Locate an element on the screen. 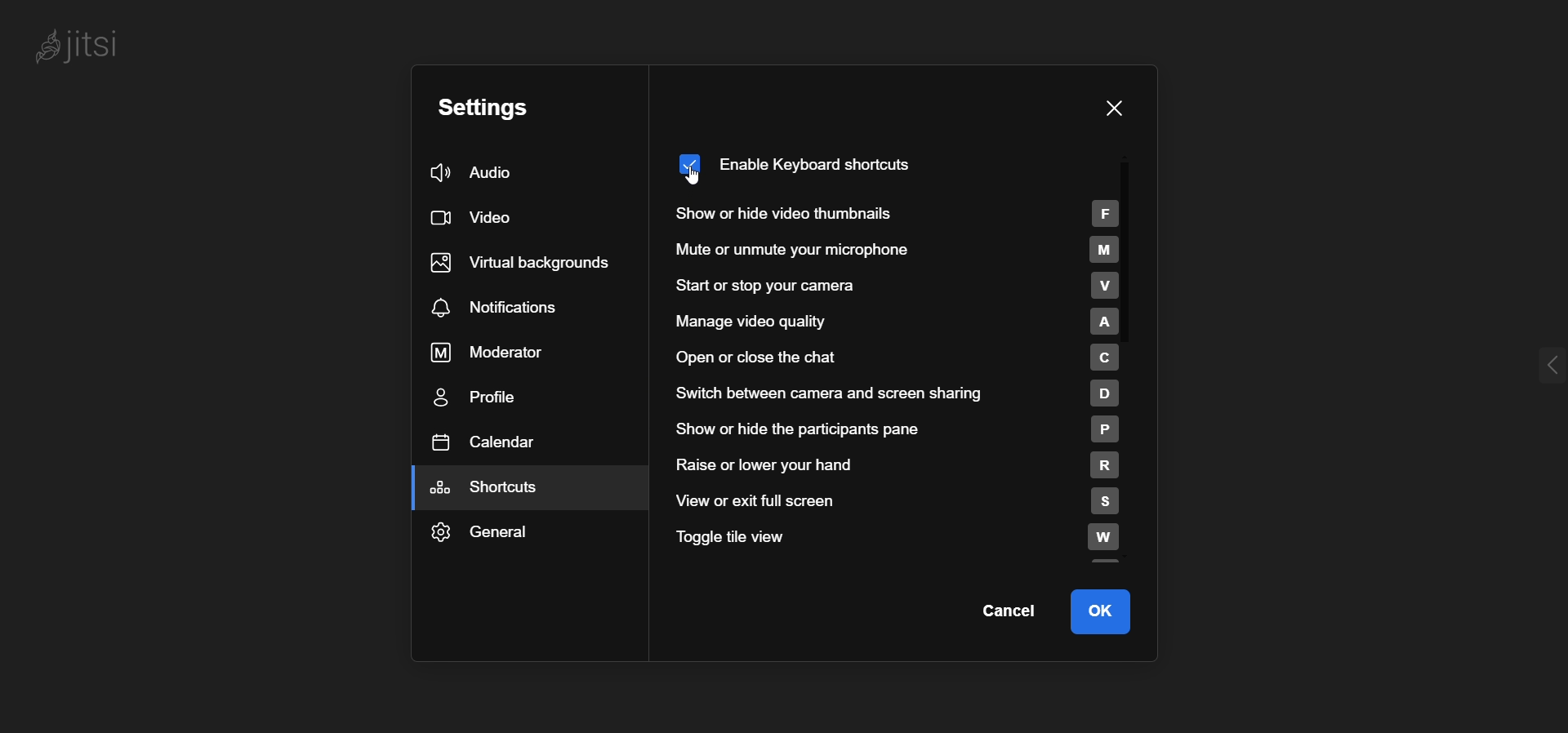  mute or unmute is located at coordinates (901, 249).